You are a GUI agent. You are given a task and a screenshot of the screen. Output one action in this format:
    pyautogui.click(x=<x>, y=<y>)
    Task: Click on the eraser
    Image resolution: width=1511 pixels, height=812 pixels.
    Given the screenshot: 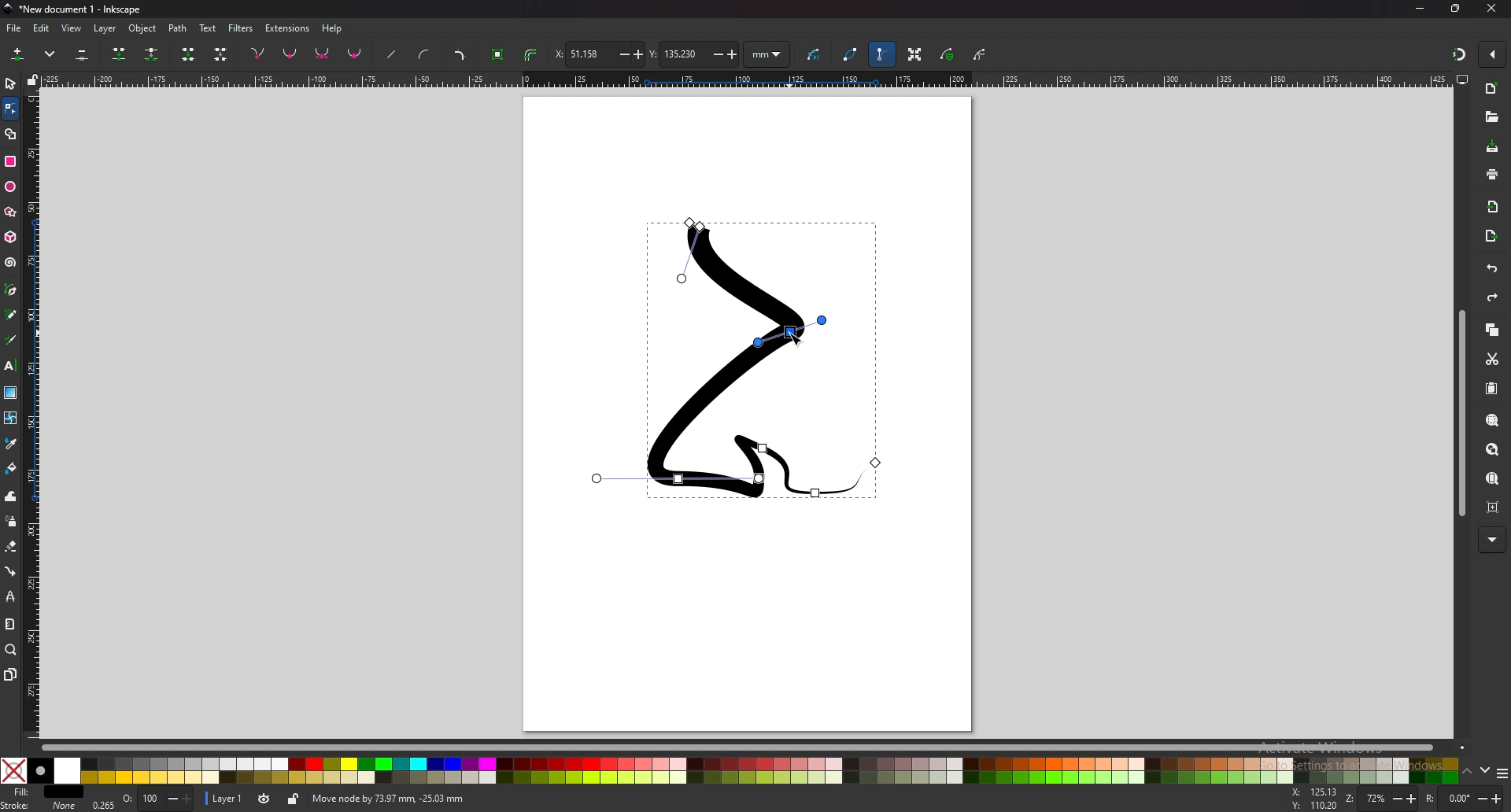 What is the action you would take?
    pyautogui.click(x=12, y=545)
    